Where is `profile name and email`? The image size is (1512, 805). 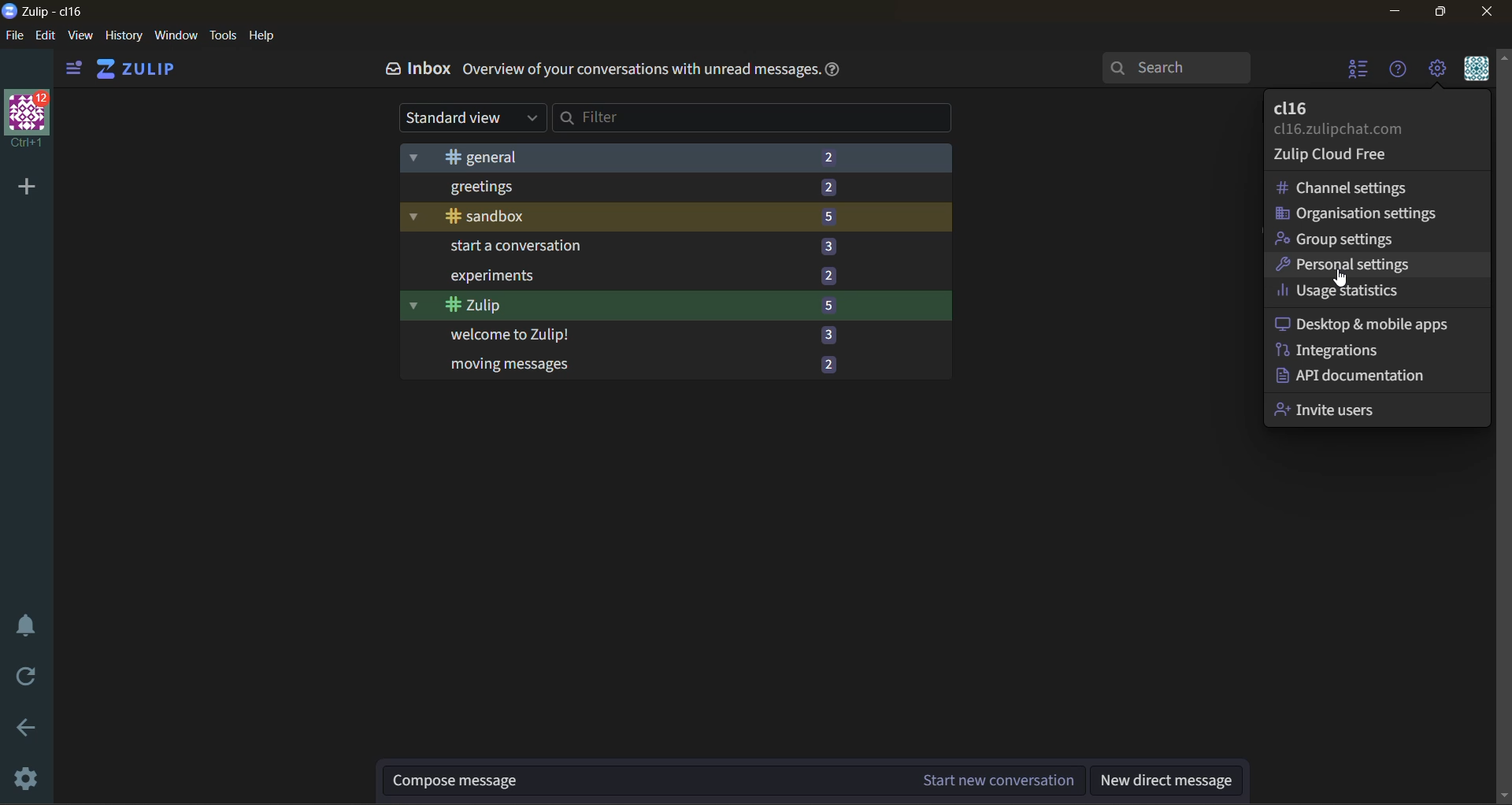 profile name and email is located at coordinates (1343, 120).